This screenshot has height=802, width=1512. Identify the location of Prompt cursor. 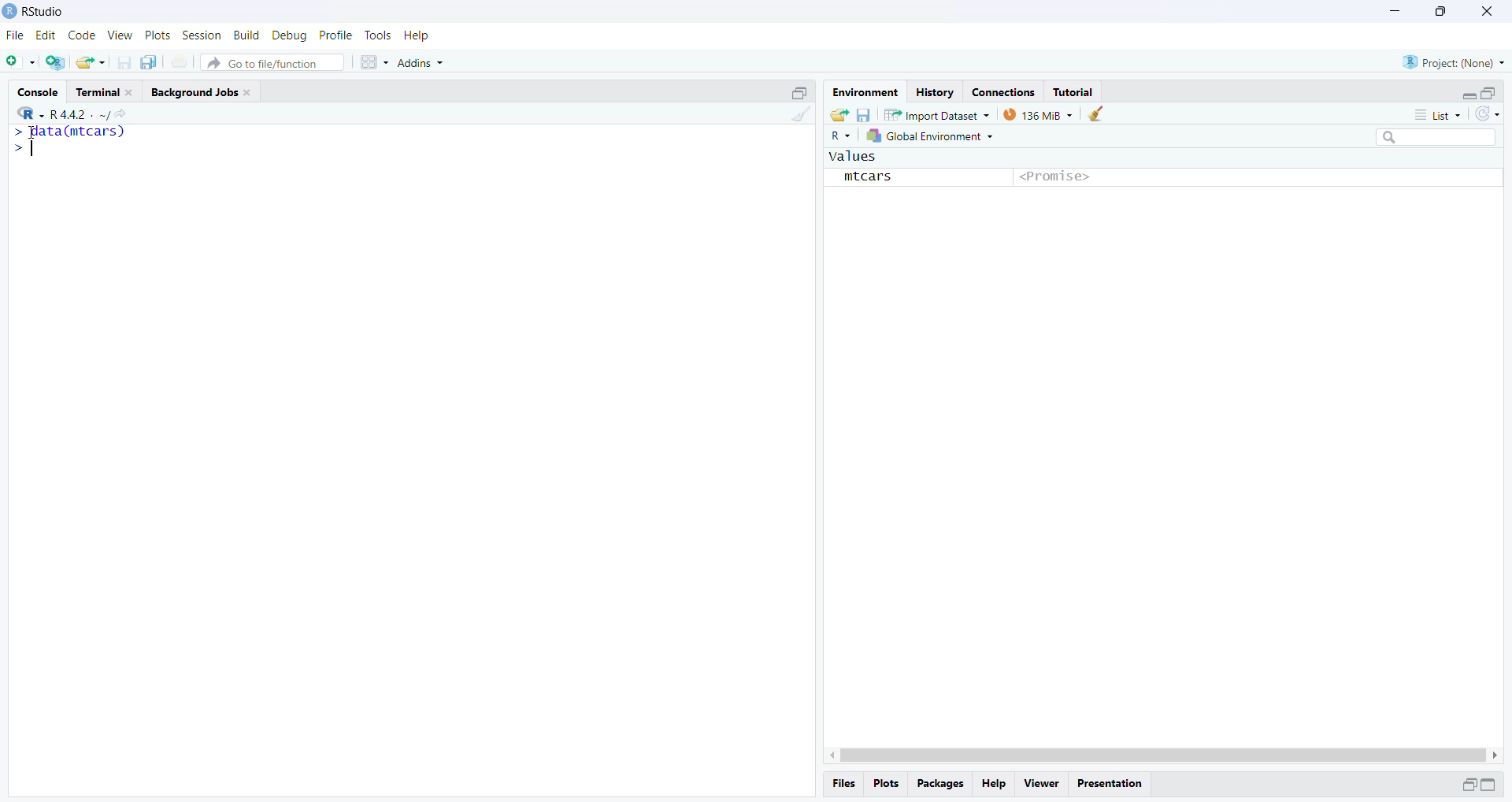
(27, 152).